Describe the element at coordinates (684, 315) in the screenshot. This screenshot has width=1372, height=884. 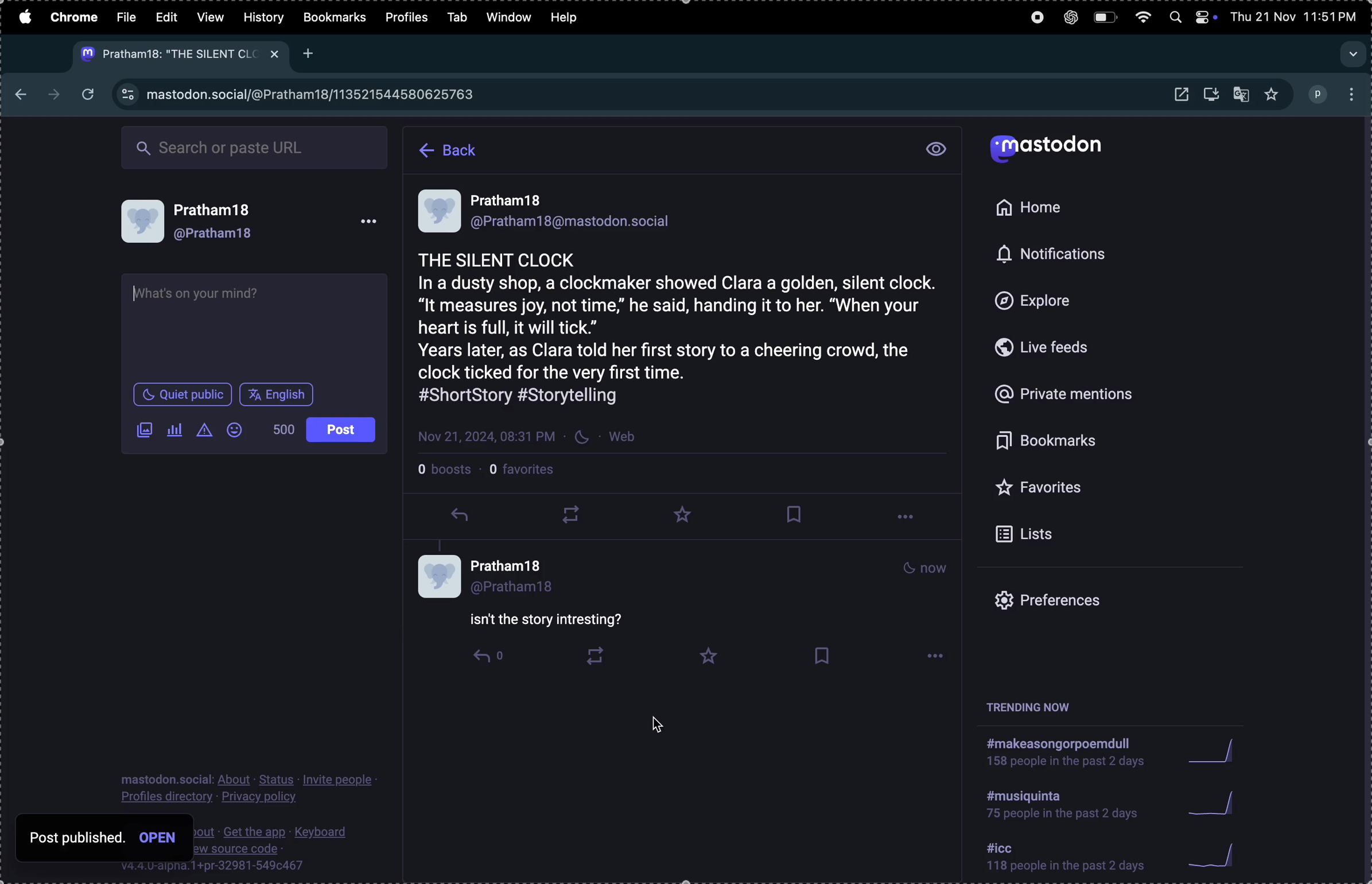
I see `story post` at that location.